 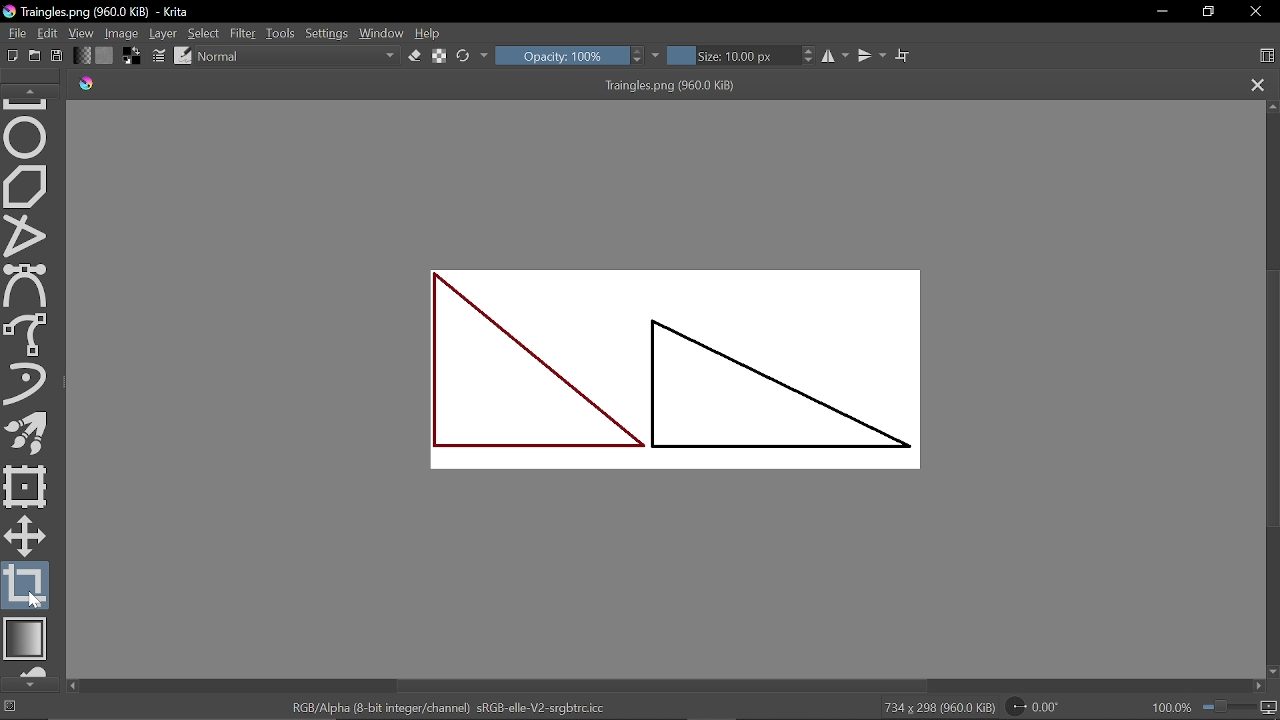 I want to click on Freehand select tool, so click(x=28, y=333).